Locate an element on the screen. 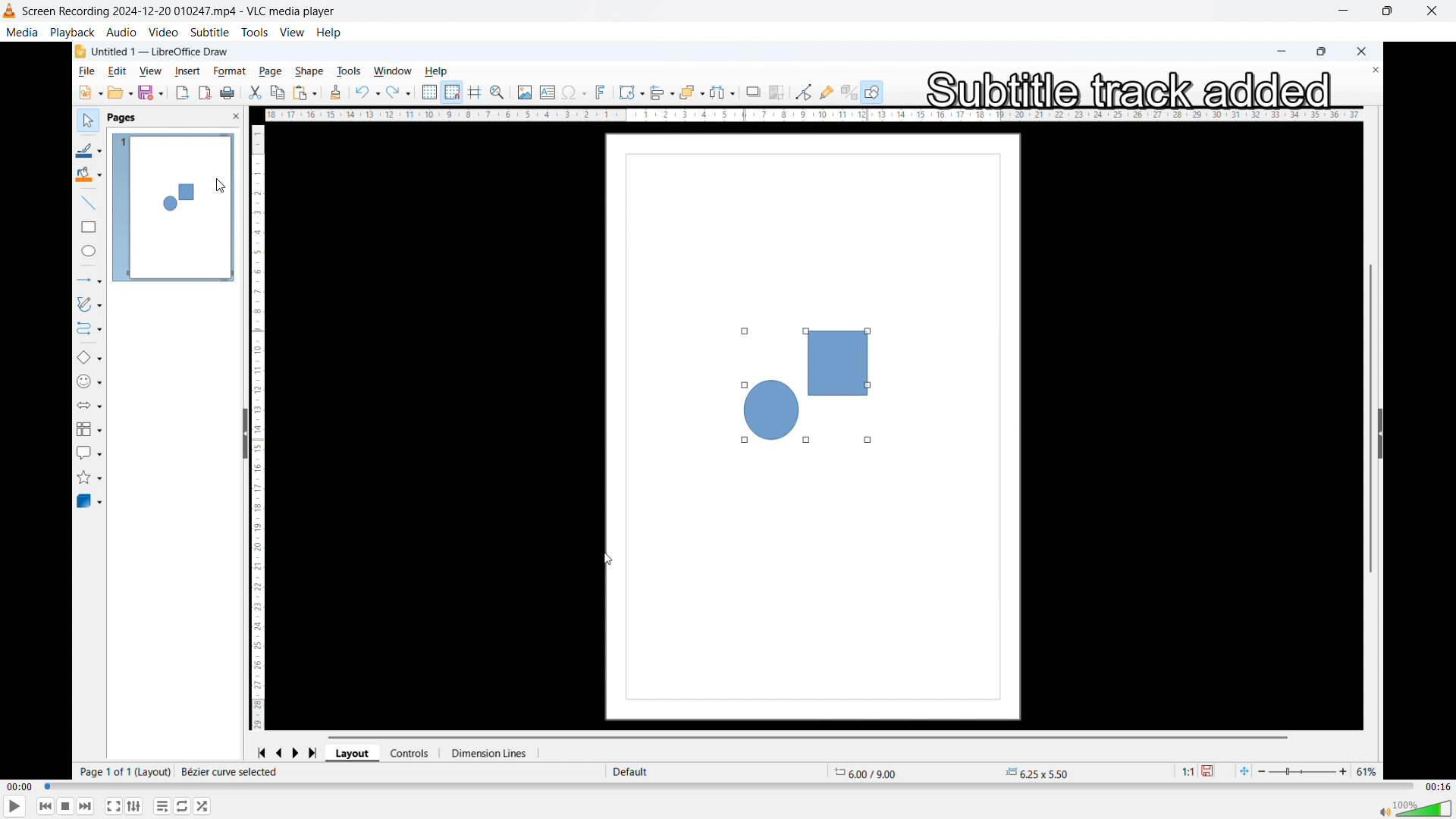 The width and height of the screenshot is (1456, 819). save is located at coordinates (1213, 771).